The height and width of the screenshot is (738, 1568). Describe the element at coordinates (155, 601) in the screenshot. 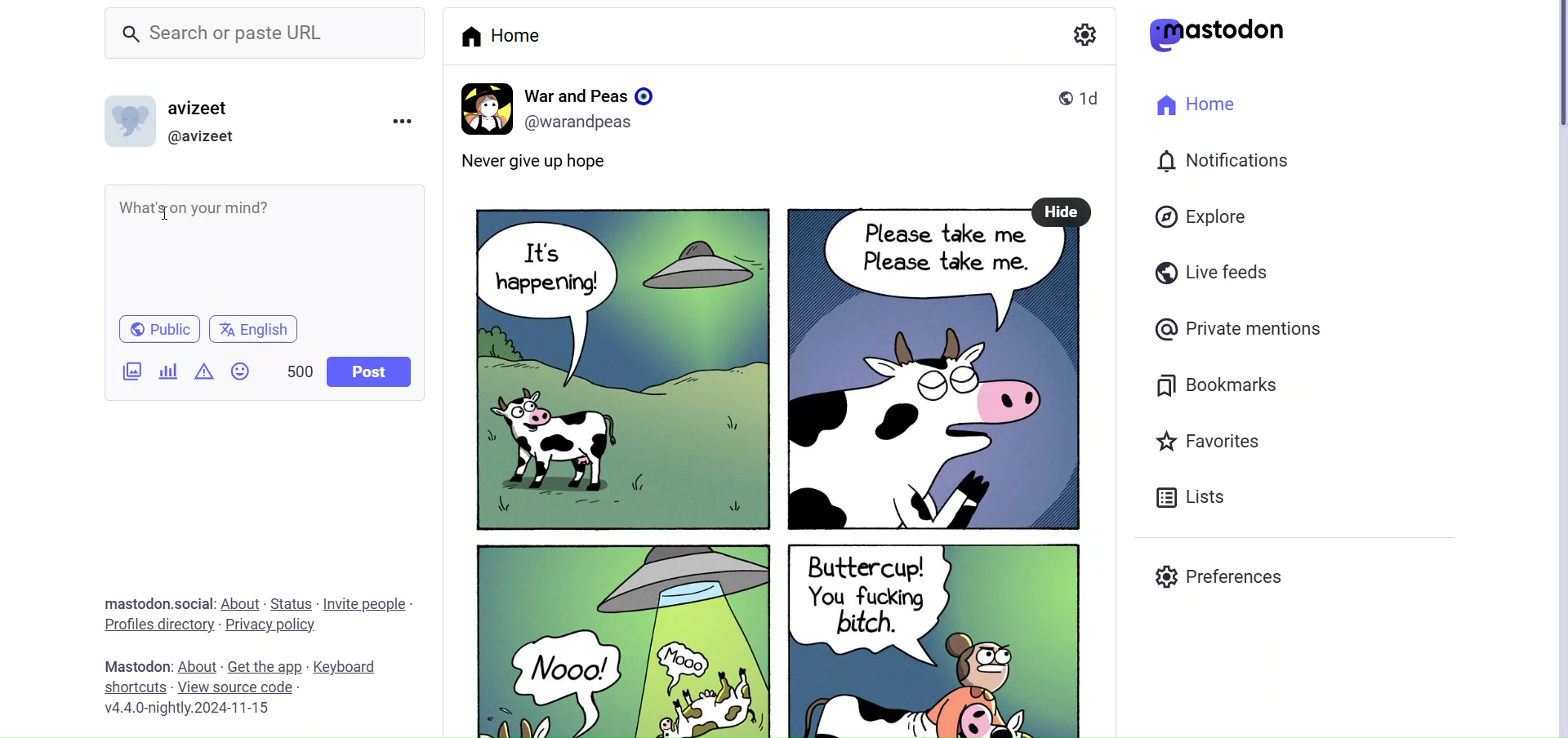

I see `Mastodon.social` at that location.